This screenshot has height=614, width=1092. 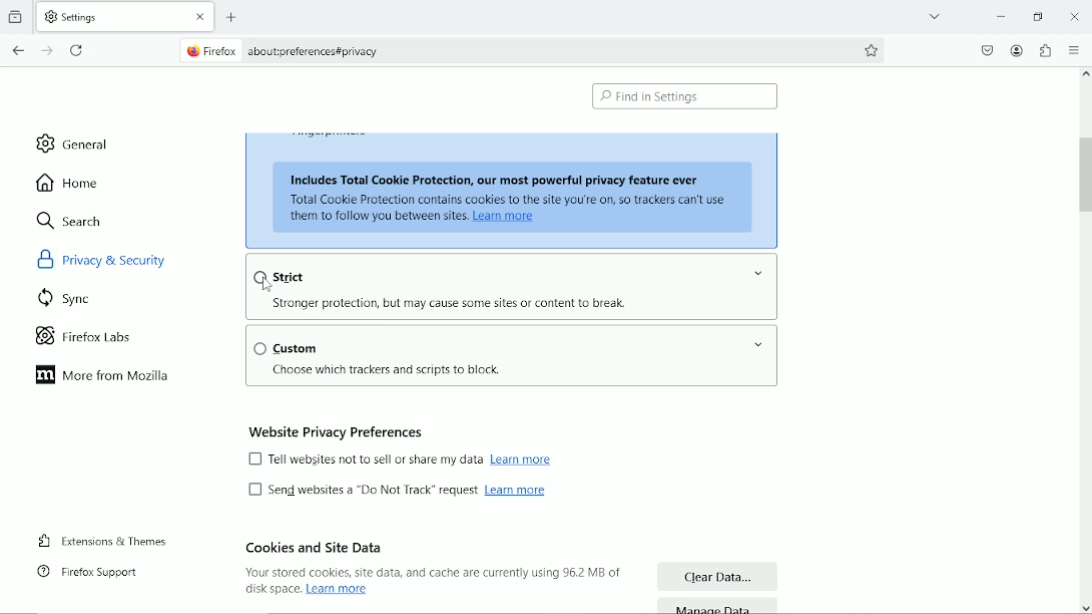 What do you see at coordinates (289, 277) in the screenshot?
I see `strict` at bounding box center [289, 277].